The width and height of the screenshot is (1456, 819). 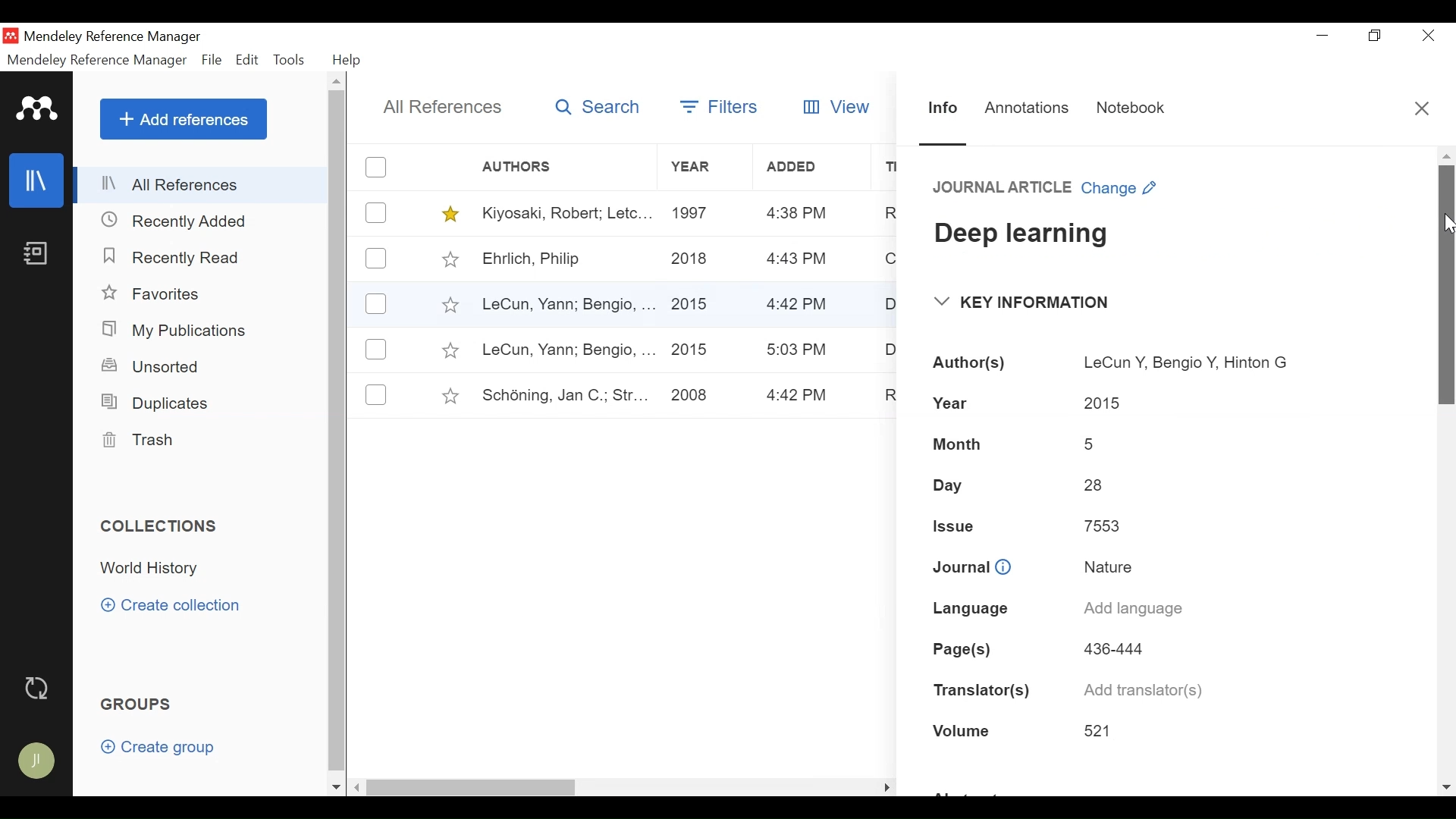 What do you see at coordinates (601, 786) in the screenshot?
I see `Horizontal Scroll bar` at bounding box center [601, 786].